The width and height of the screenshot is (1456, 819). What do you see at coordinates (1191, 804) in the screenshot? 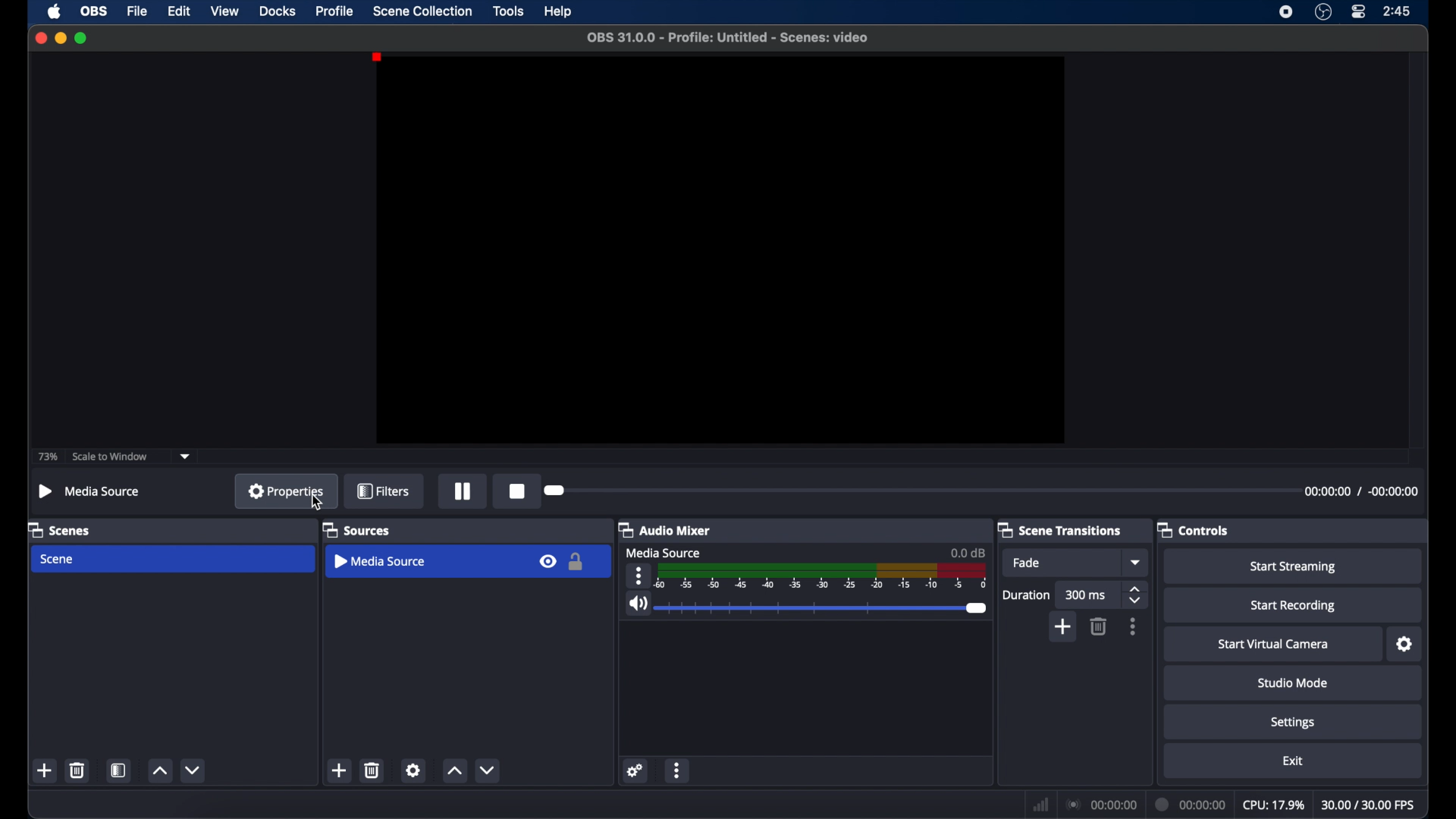
I see `duration` at bounding box center [1191, 804].